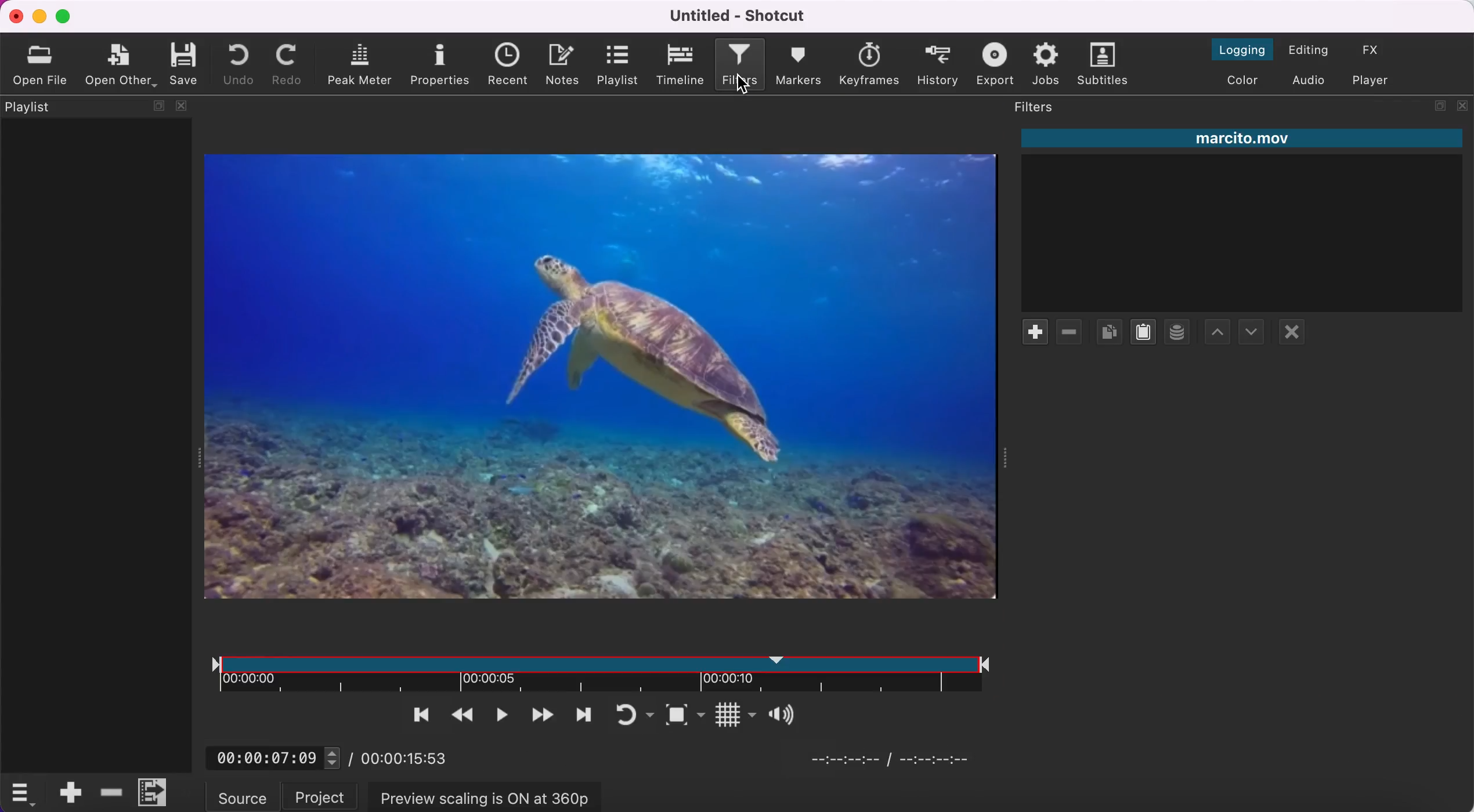 The height and width of the screenshot is (812, 1474). What do you see at coordinates (38, 64) in the screenshot?
I see `open file` at bounding box center [38, 64].